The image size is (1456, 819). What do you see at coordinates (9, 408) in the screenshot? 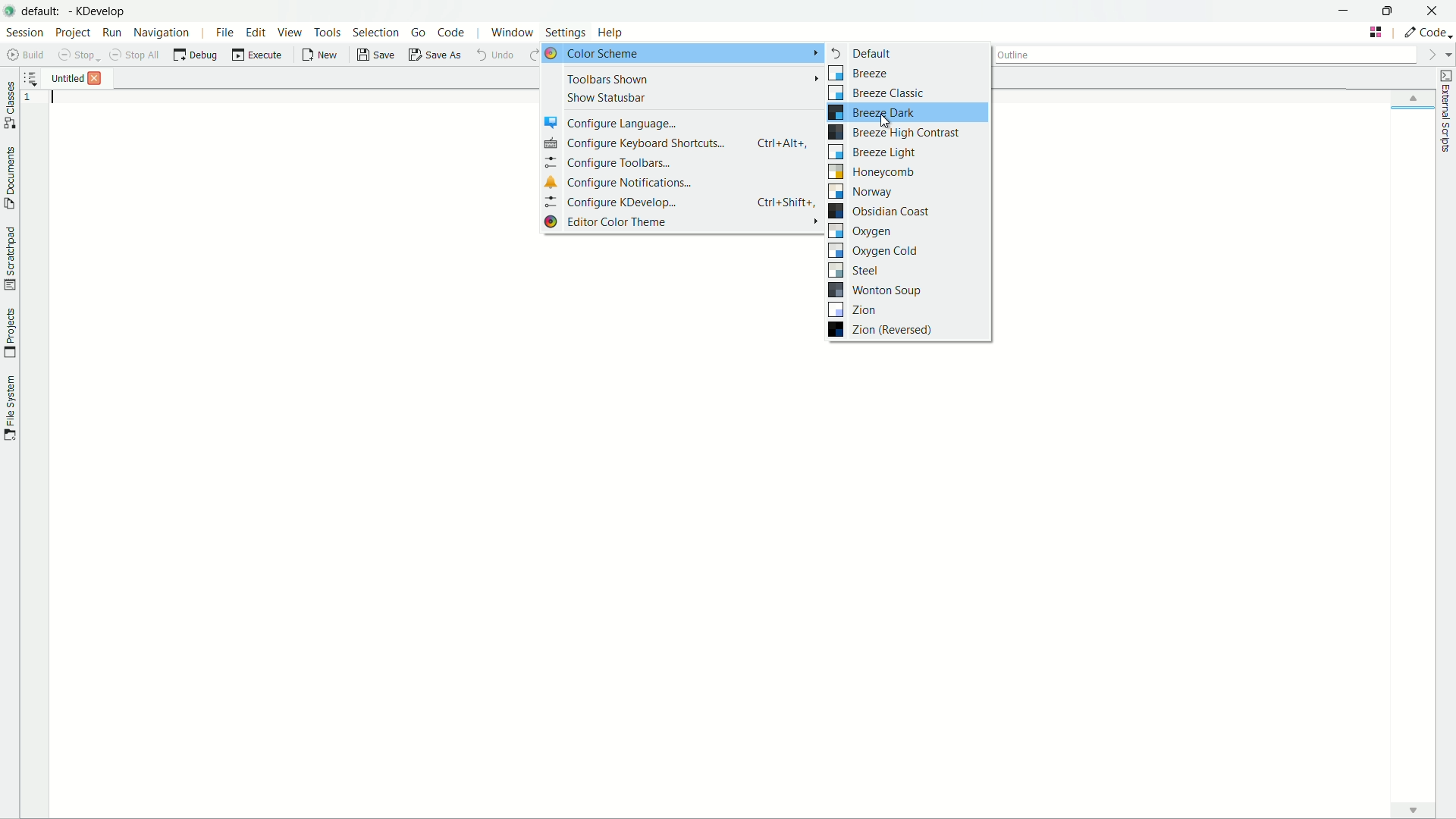
I see `toggle file system` at bounding box center [9, 408].